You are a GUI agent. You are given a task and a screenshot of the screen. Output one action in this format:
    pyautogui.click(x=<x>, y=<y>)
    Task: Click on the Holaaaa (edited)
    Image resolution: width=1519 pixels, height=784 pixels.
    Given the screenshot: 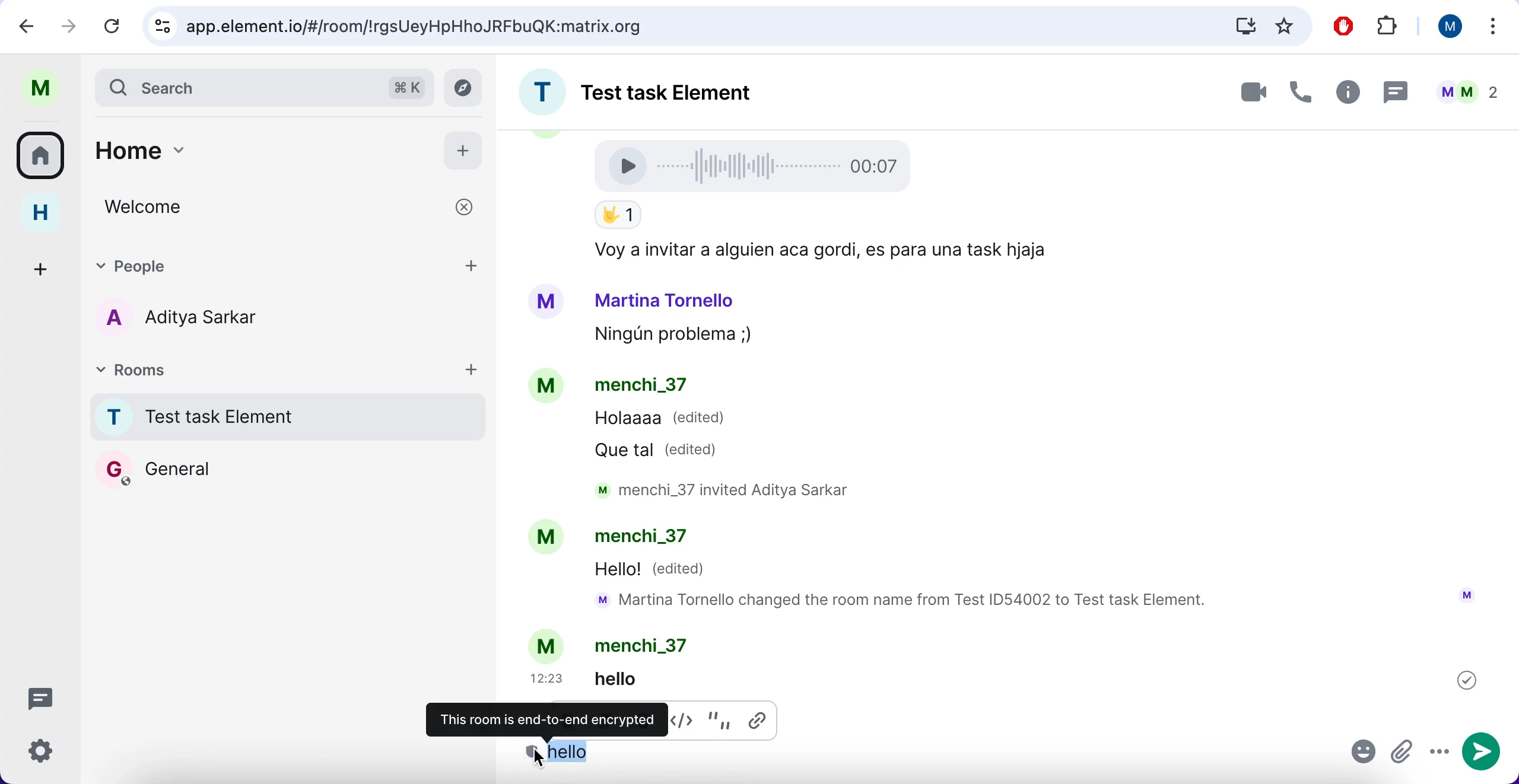 What is the action you would take?
    pyautogui.click(x=660, y=421)
    